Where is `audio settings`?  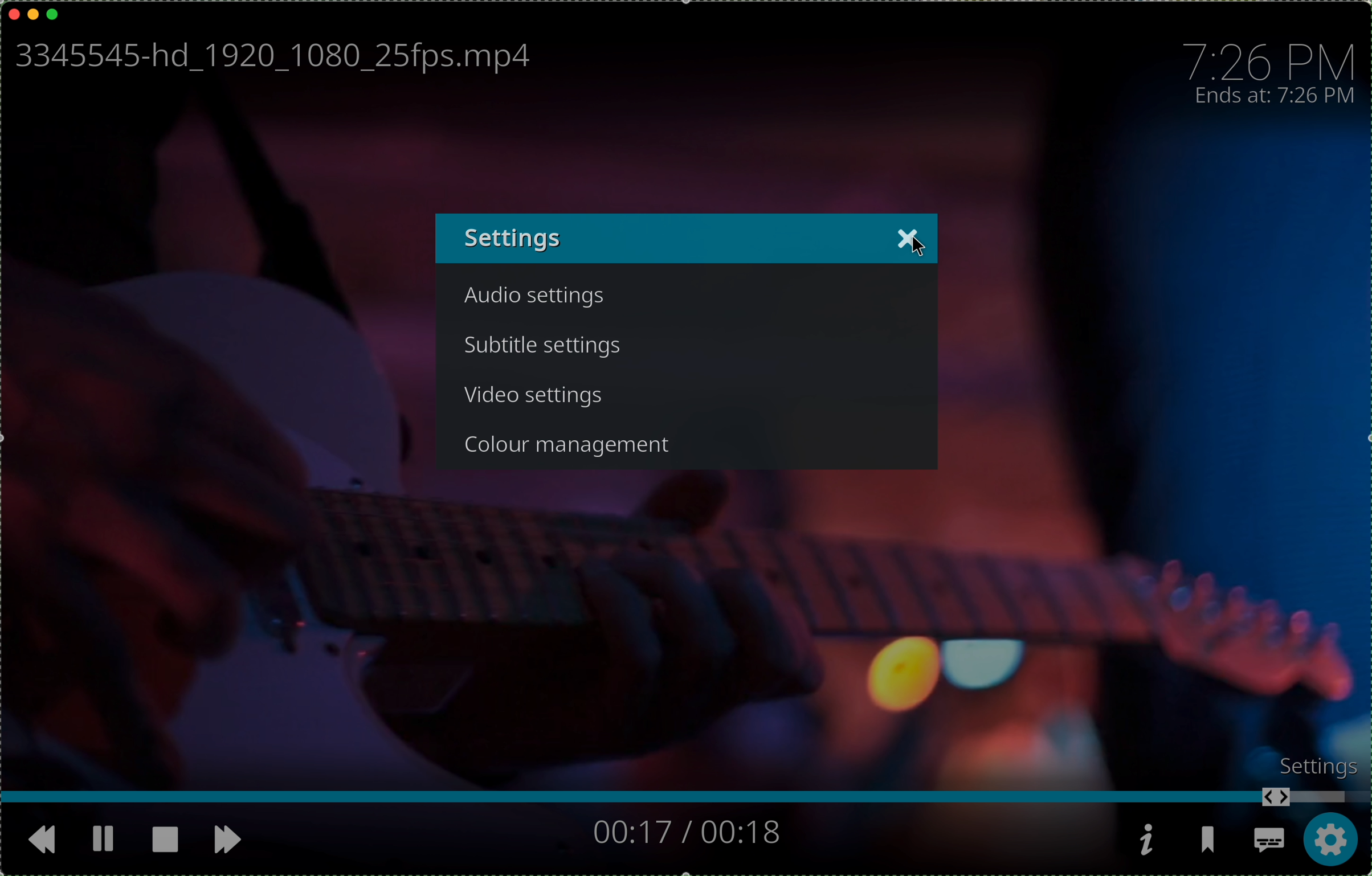 audio settings is located at coordinates (539, 300).